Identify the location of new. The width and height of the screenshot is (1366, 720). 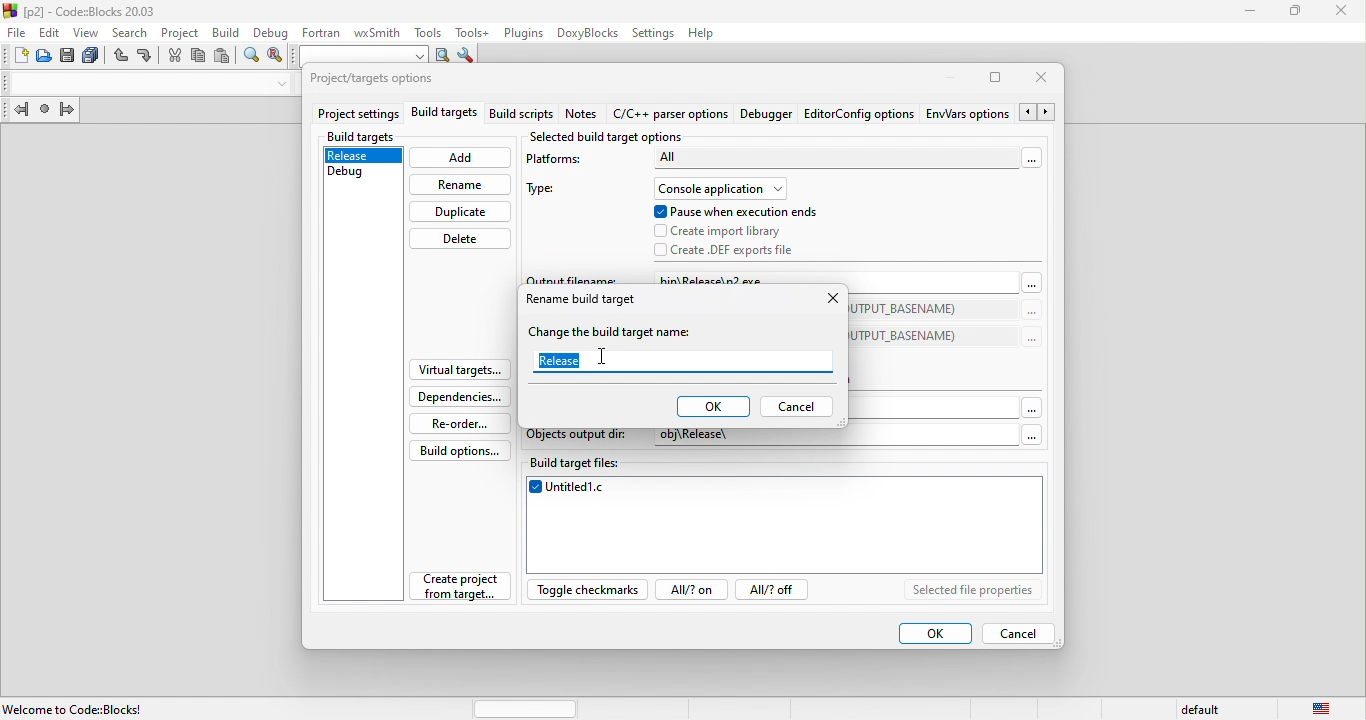
(15, 58).